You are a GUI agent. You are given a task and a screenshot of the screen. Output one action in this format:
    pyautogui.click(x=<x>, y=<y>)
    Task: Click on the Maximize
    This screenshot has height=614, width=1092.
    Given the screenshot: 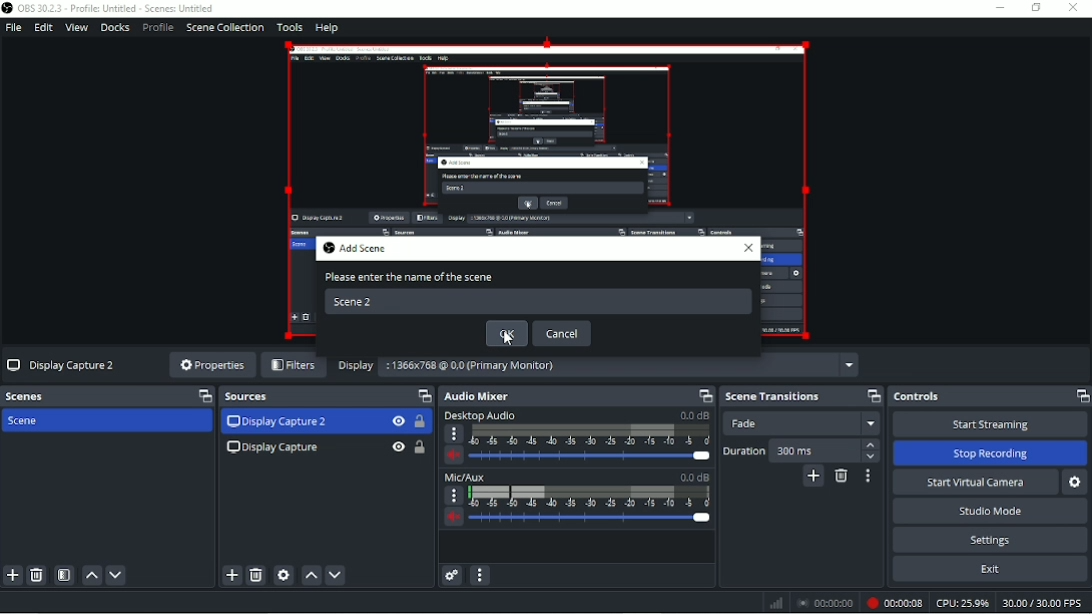 What is the action you would take?
    pyautogui.click(x=704, y=393)
    